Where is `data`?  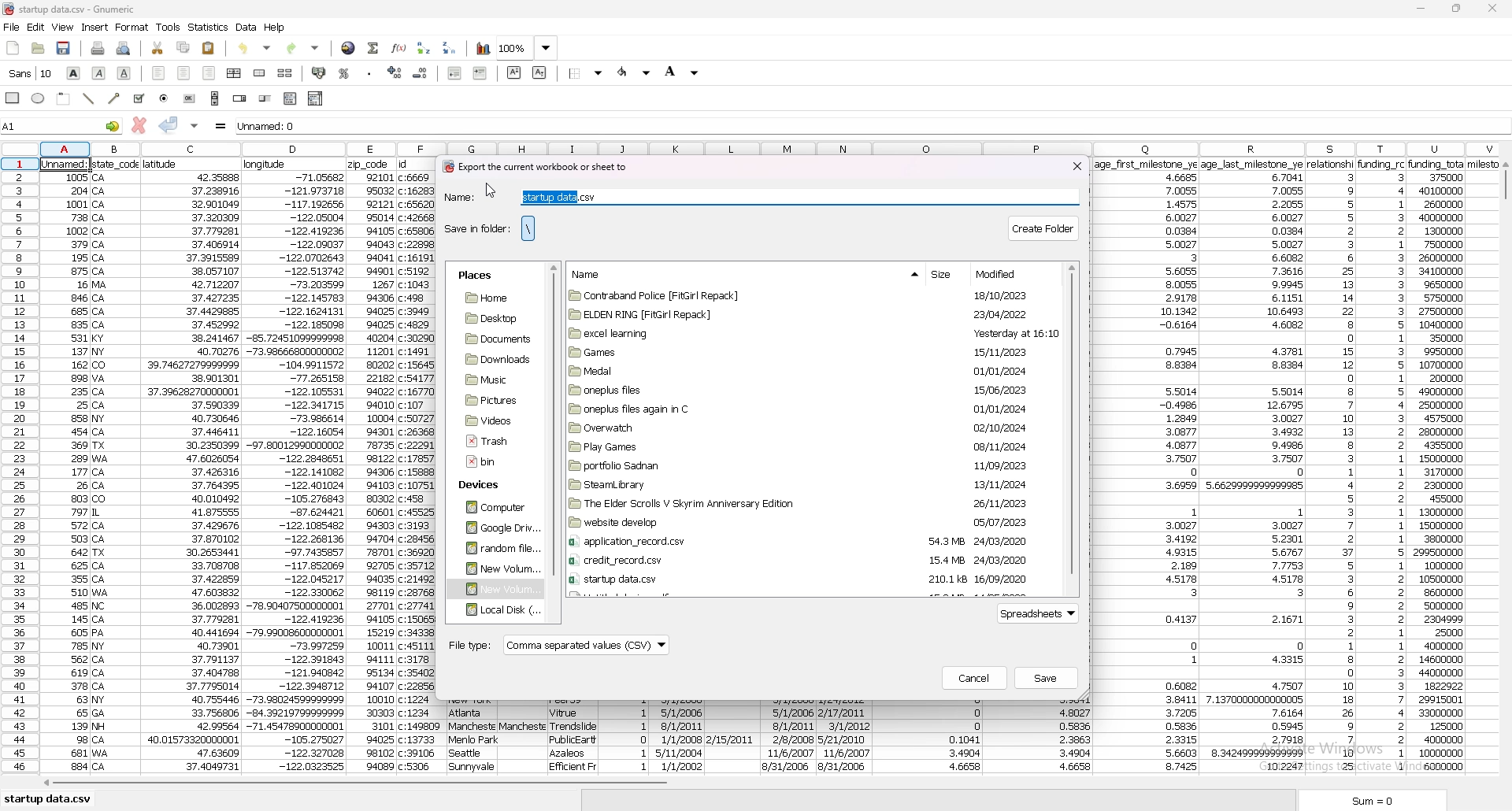
data is located at coordinates (790, 736).